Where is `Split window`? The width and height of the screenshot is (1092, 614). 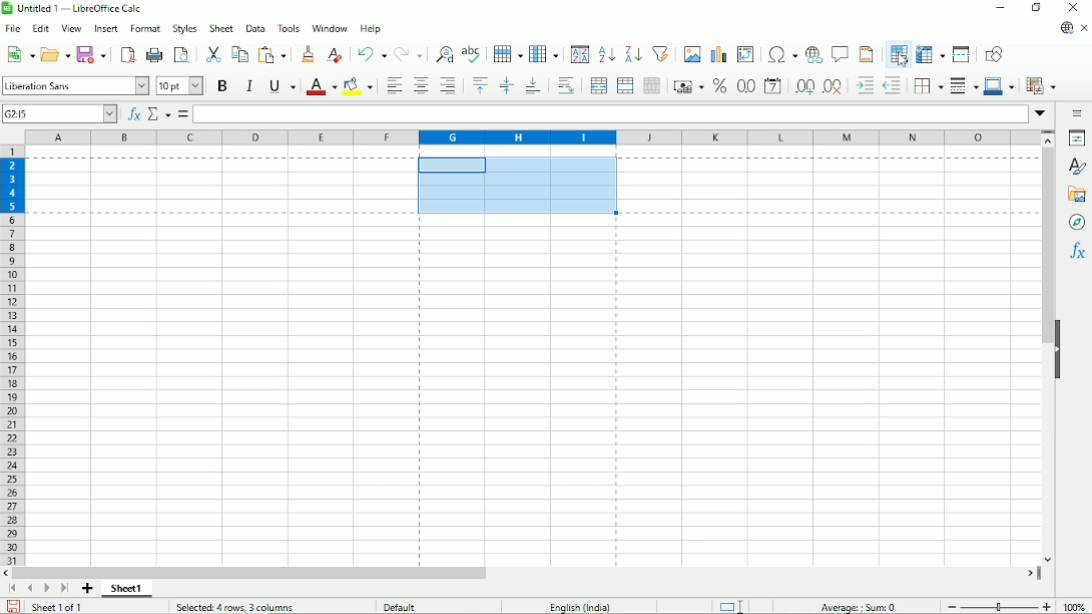 Split window is located at coordinates (963, 54).